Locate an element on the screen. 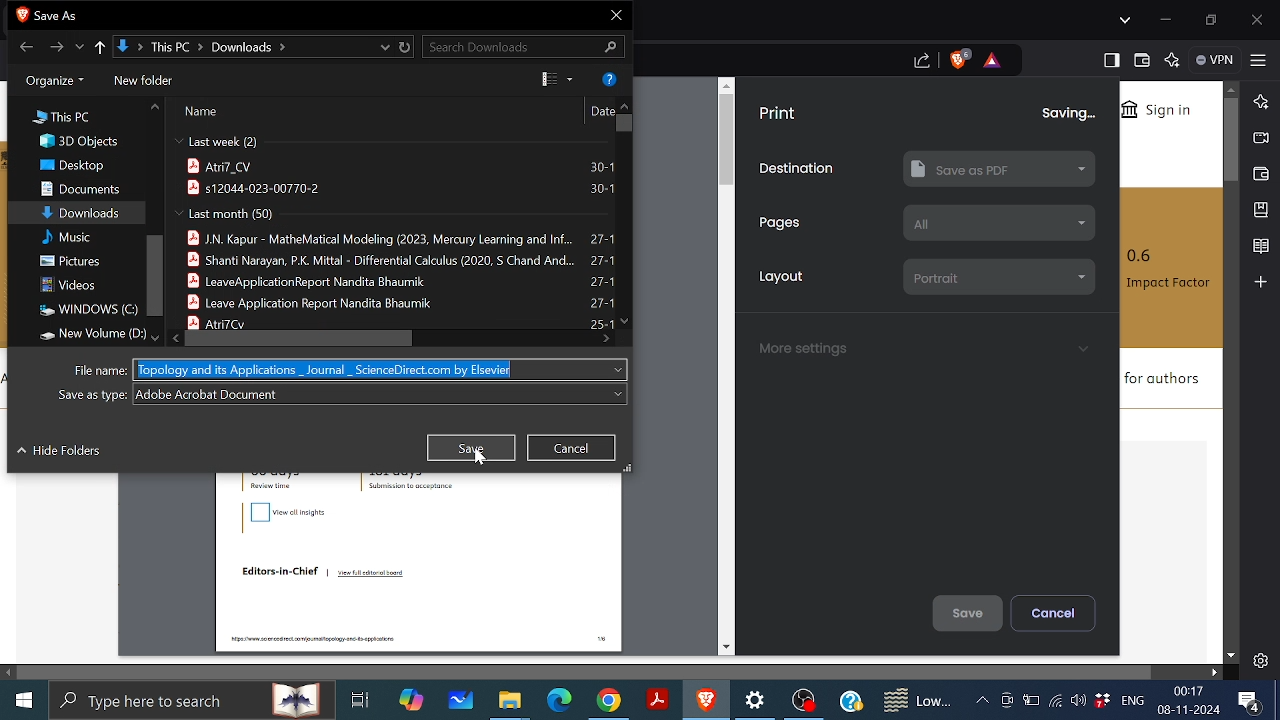  Brave Browser is located at coordinates (706, 701).